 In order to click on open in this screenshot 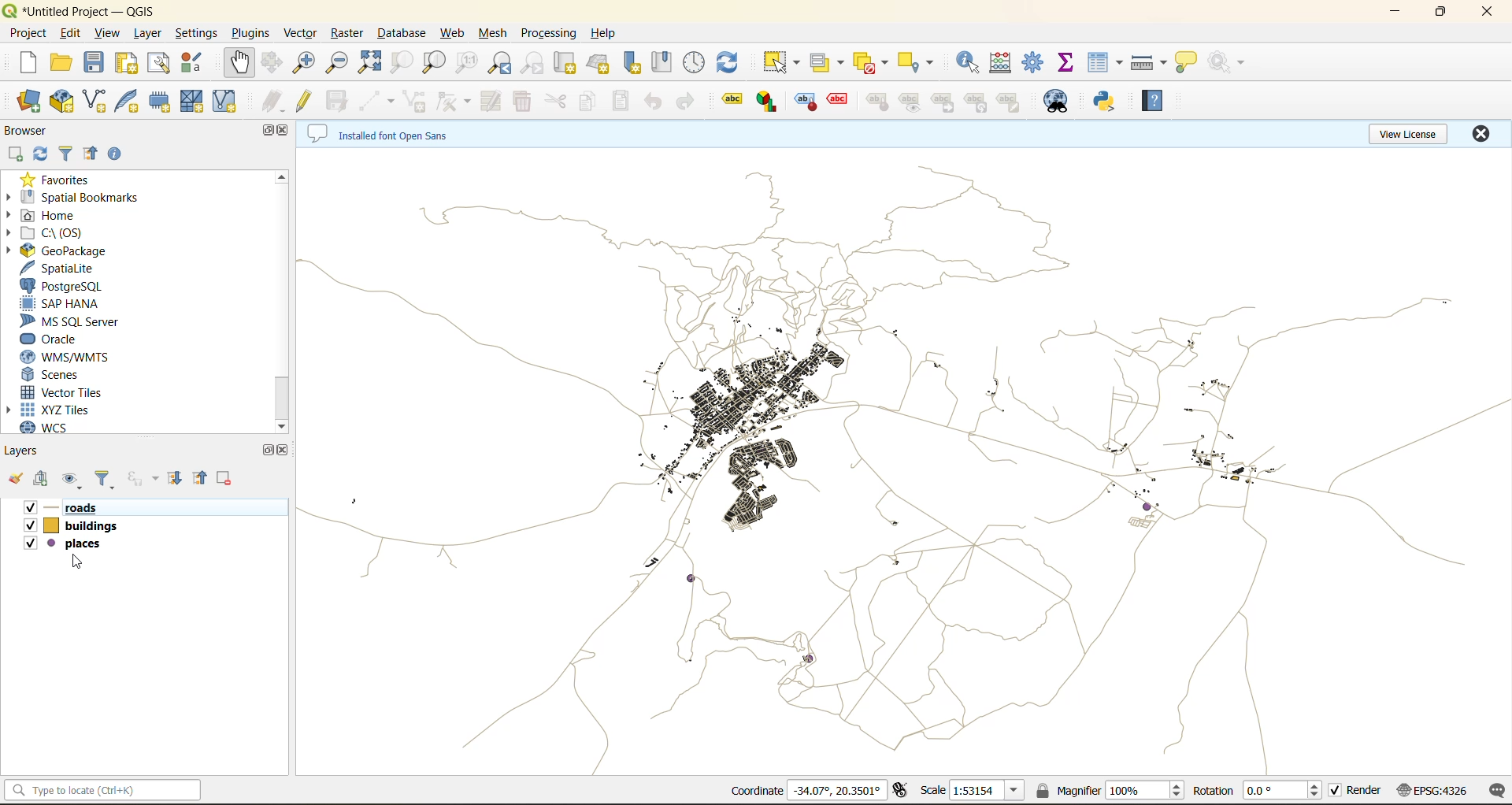, I will do `click(57, 63)`.